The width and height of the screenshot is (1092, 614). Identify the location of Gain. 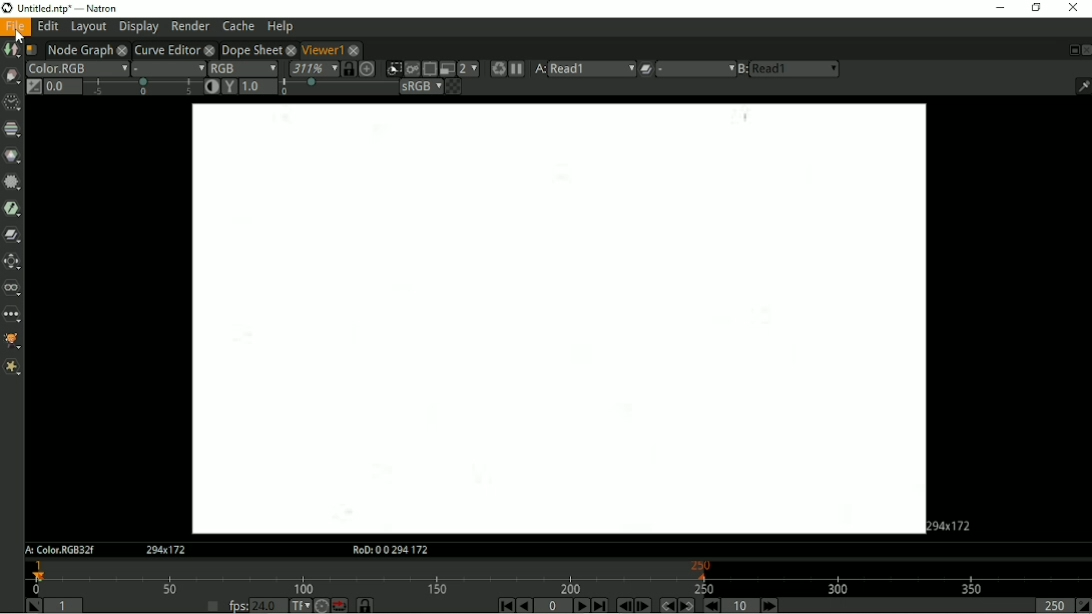
(63, 87).